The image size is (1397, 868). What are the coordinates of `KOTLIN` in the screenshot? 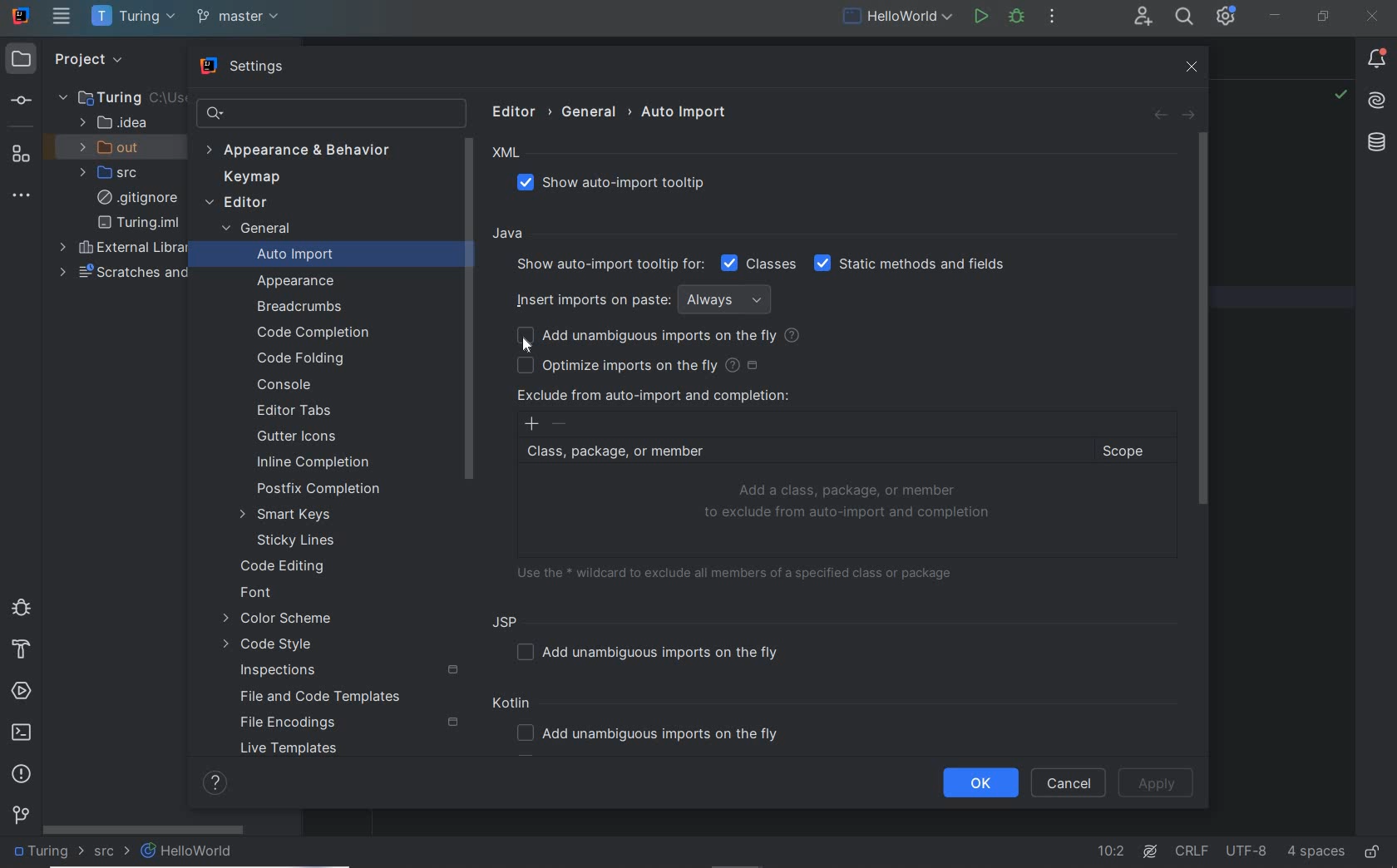 It's located at (515, 705).